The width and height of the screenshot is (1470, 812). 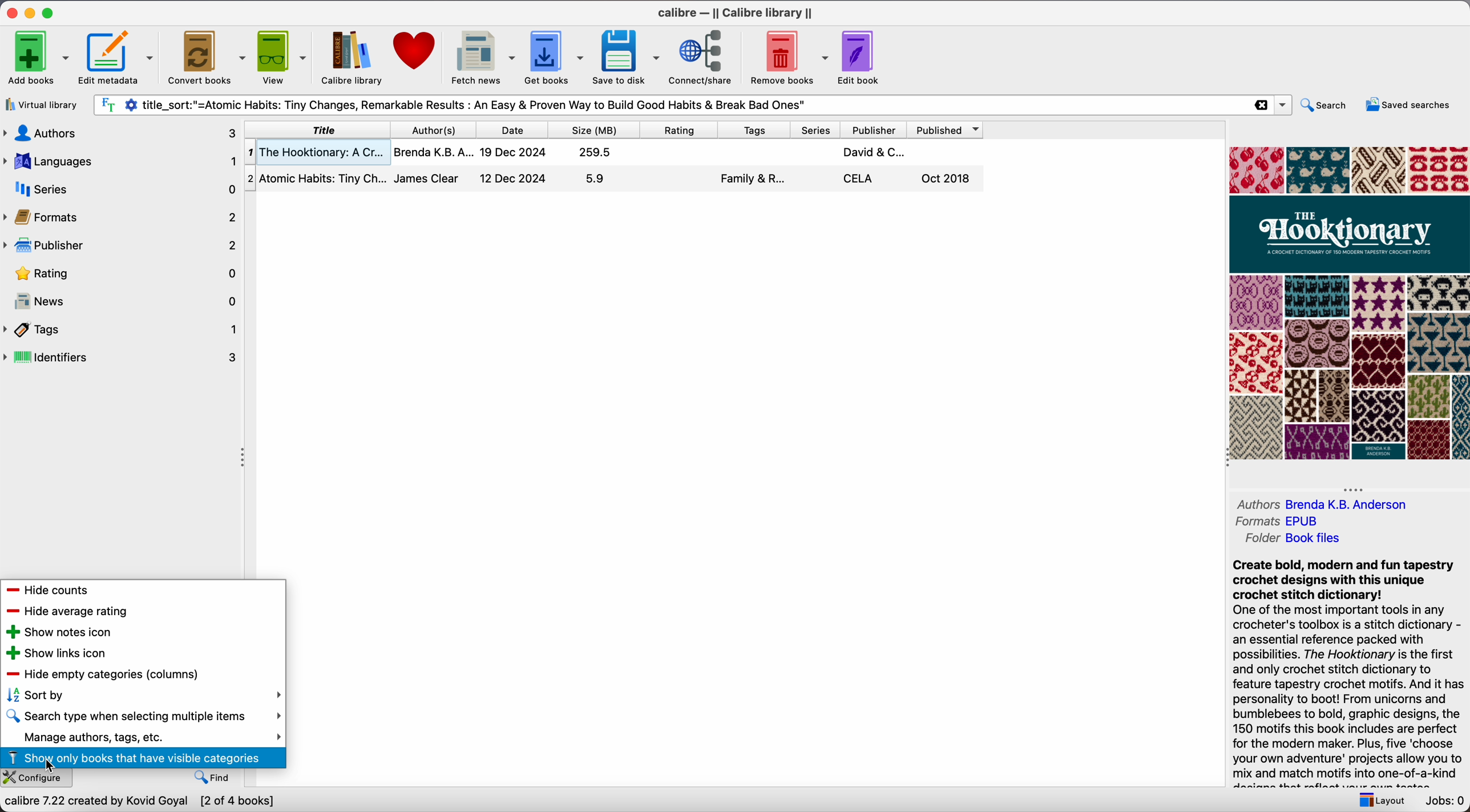 What do you see at coordinates (1406, 106) in the screenshot?
I see `saved searches` at bounding box center [1406, 106].